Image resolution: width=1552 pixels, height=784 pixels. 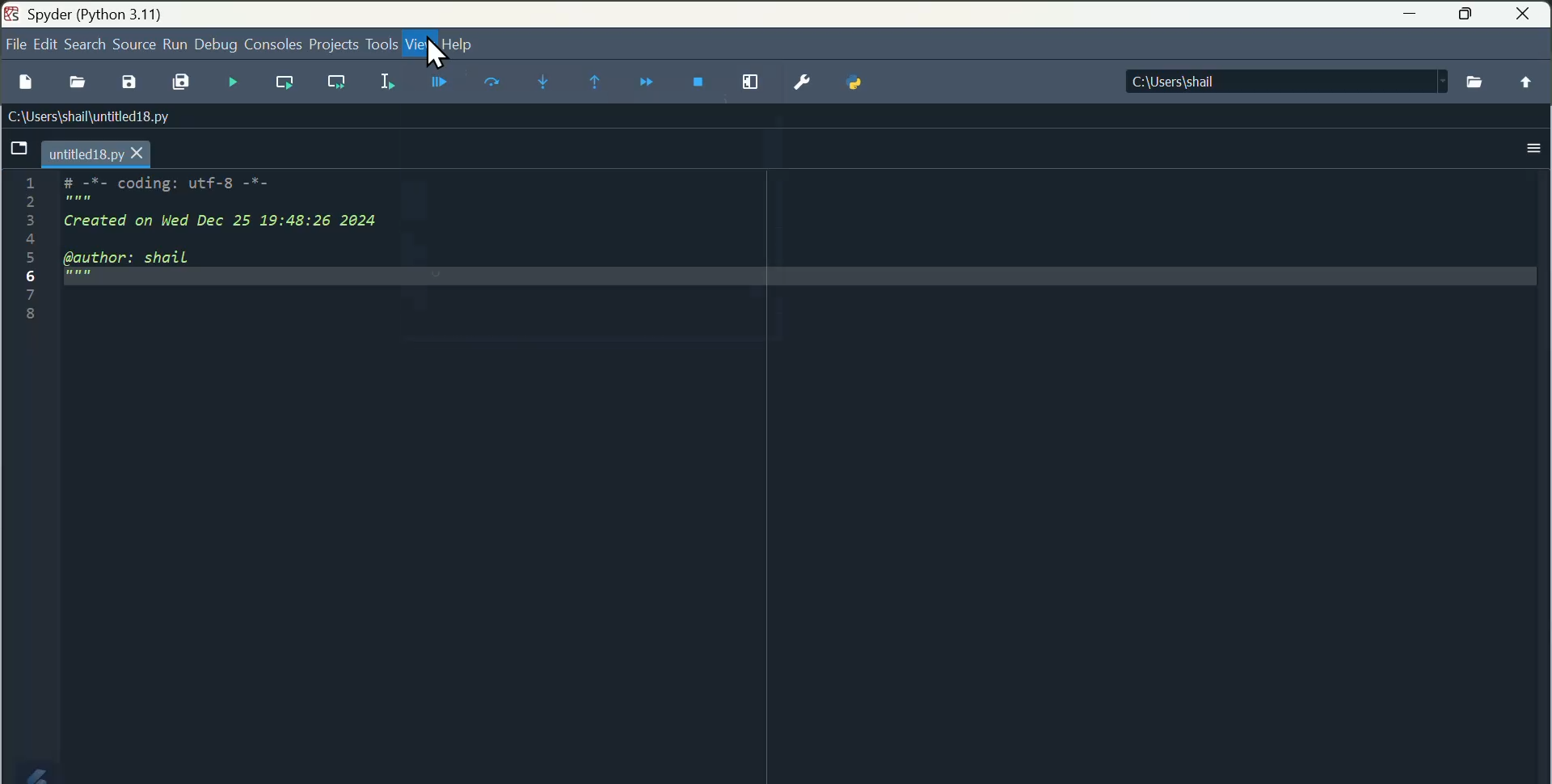 I want to click on maximise current page, so click(x=746, y=86).